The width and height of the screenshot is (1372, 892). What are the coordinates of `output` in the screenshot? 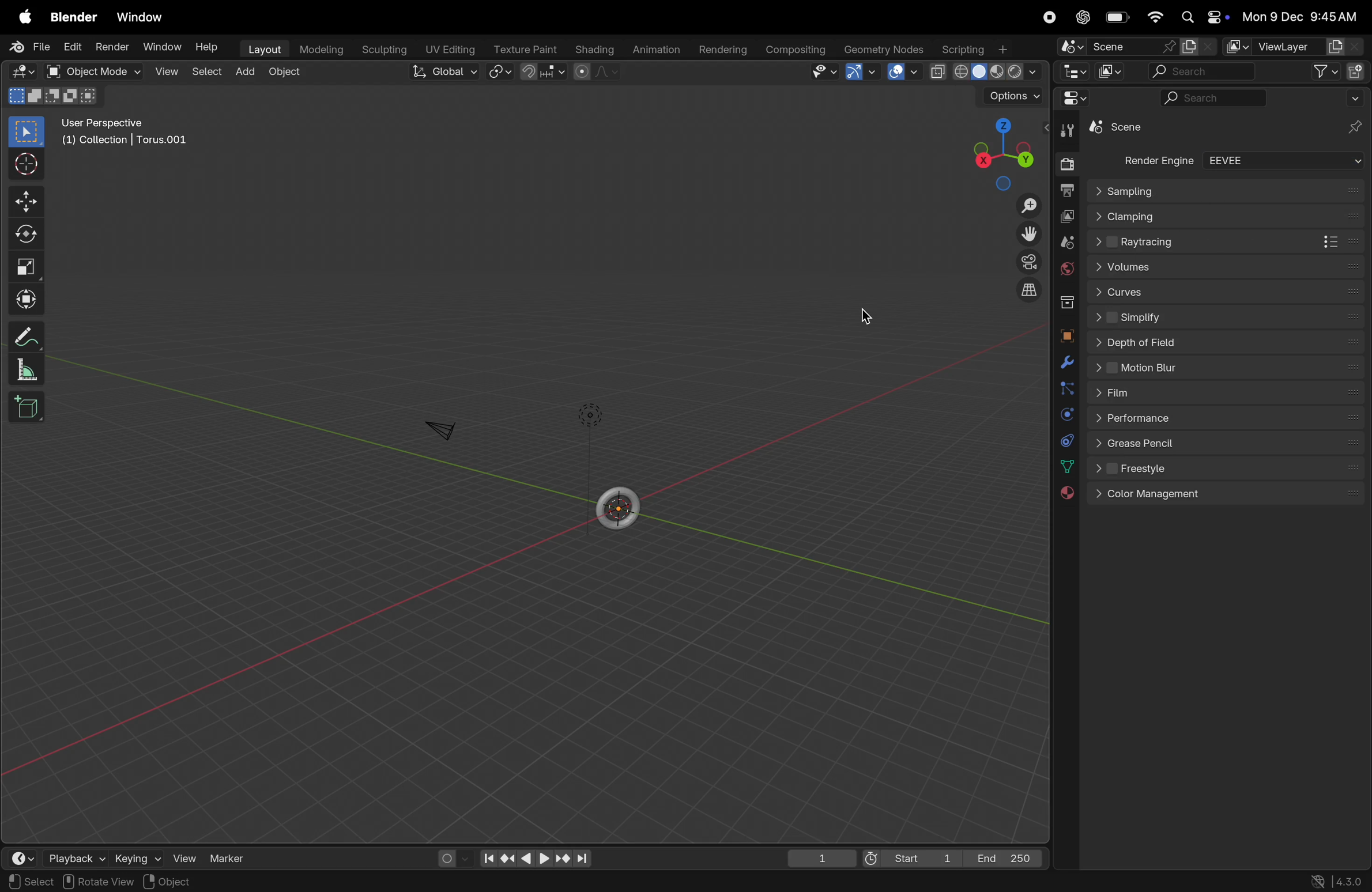 It's located at (1066, 189).